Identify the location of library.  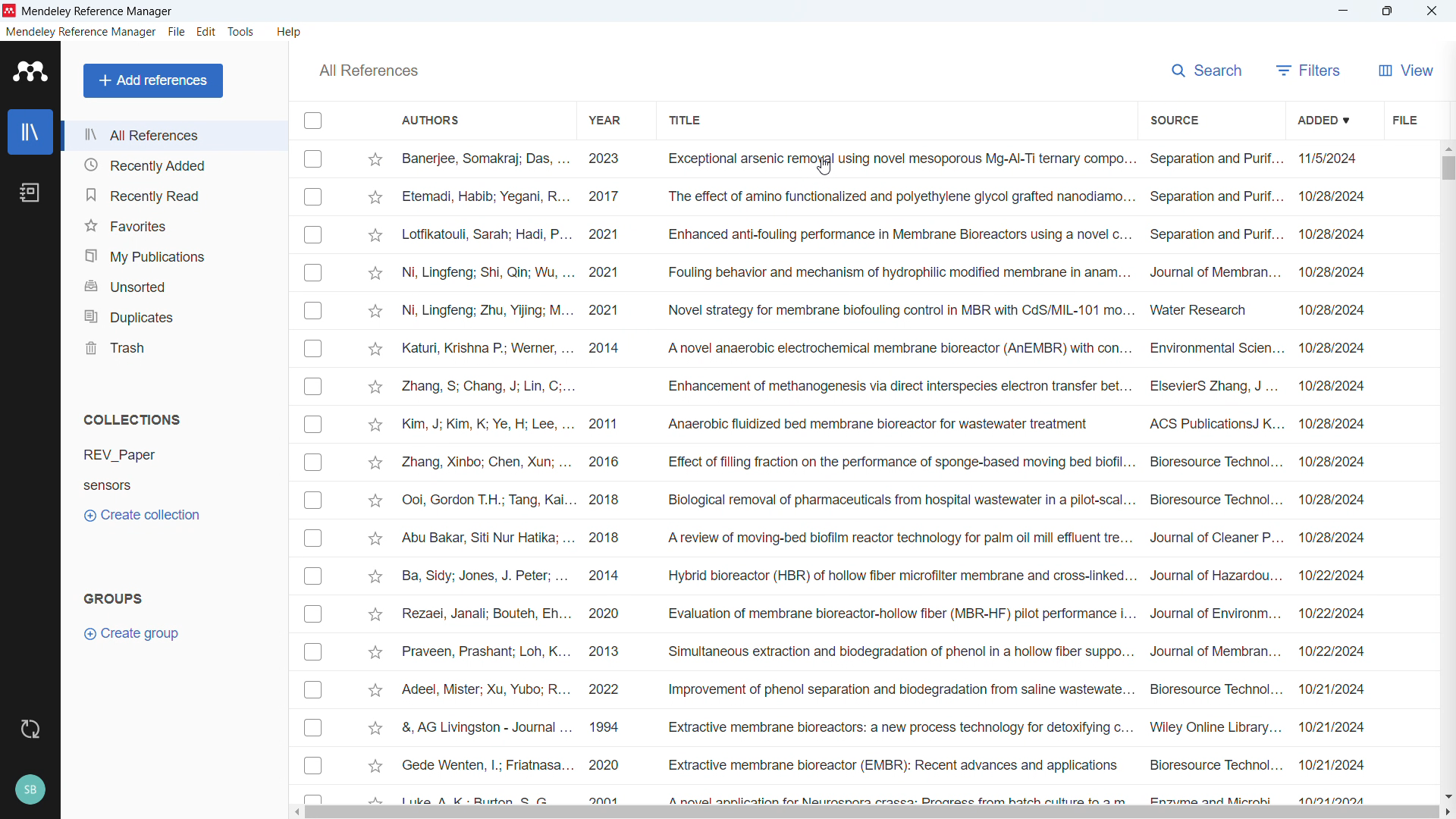
(30, 131).